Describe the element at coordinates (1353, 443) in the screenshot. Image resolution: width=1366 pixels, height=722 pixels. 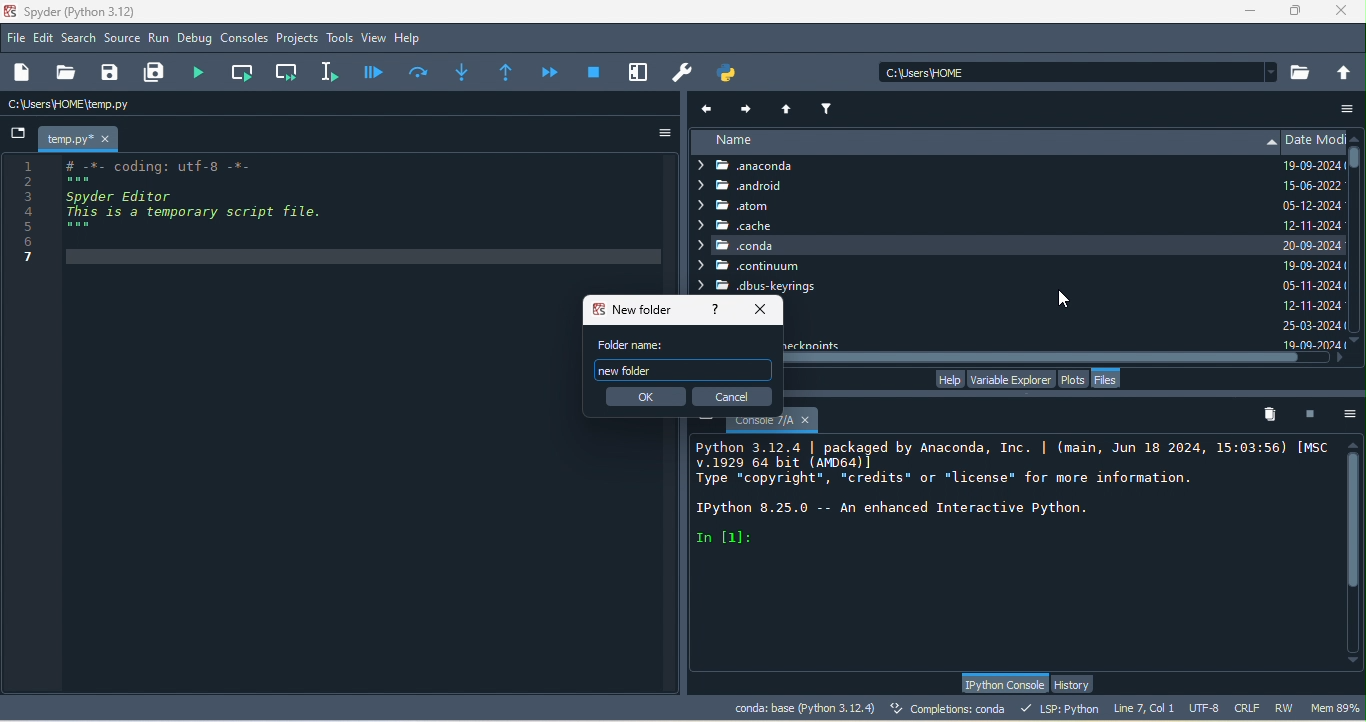
I see `scroll up` at that location.